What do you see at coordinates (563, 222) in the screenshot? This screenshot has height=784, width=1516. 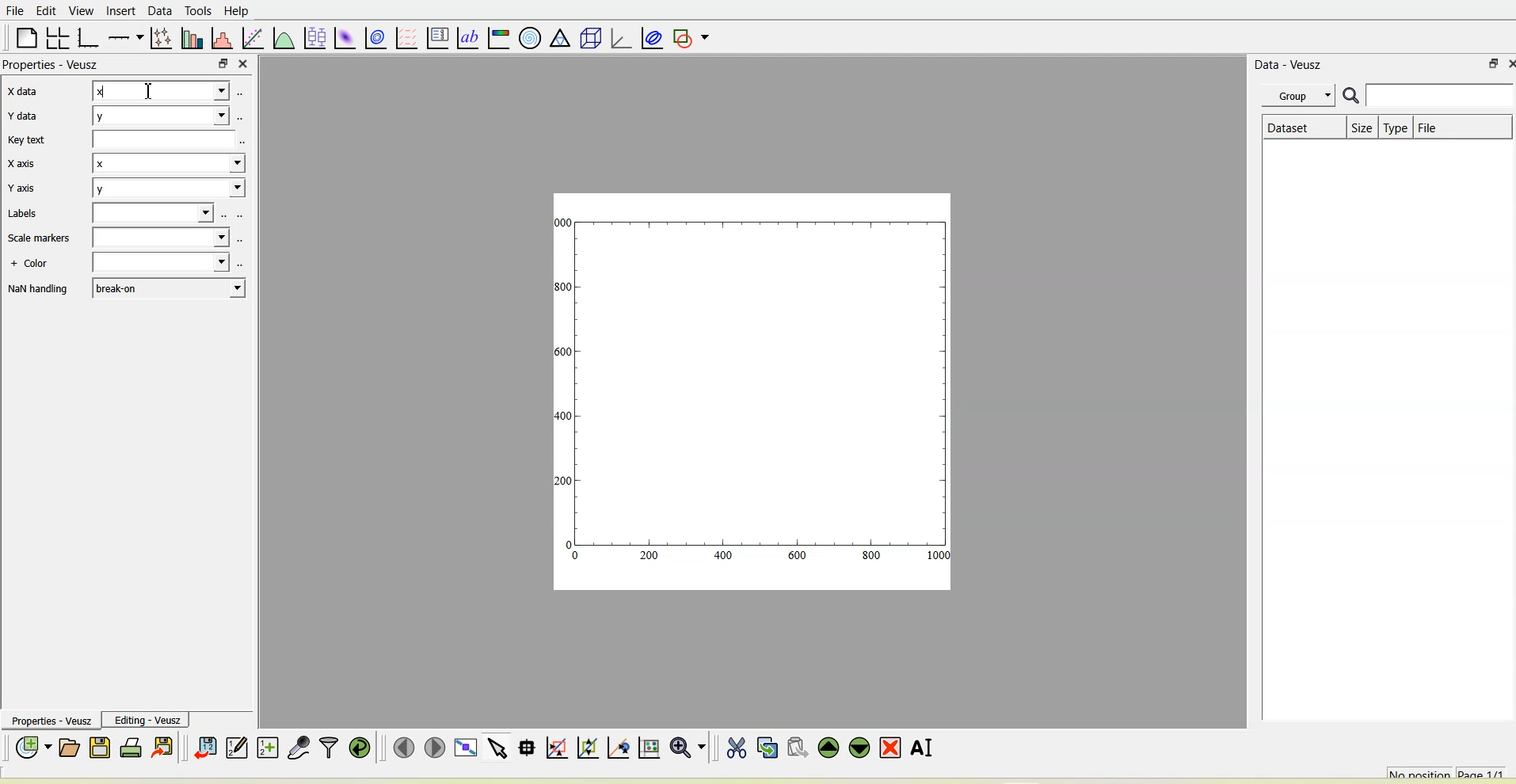 I see `1000` at bounding box center [563, 222].